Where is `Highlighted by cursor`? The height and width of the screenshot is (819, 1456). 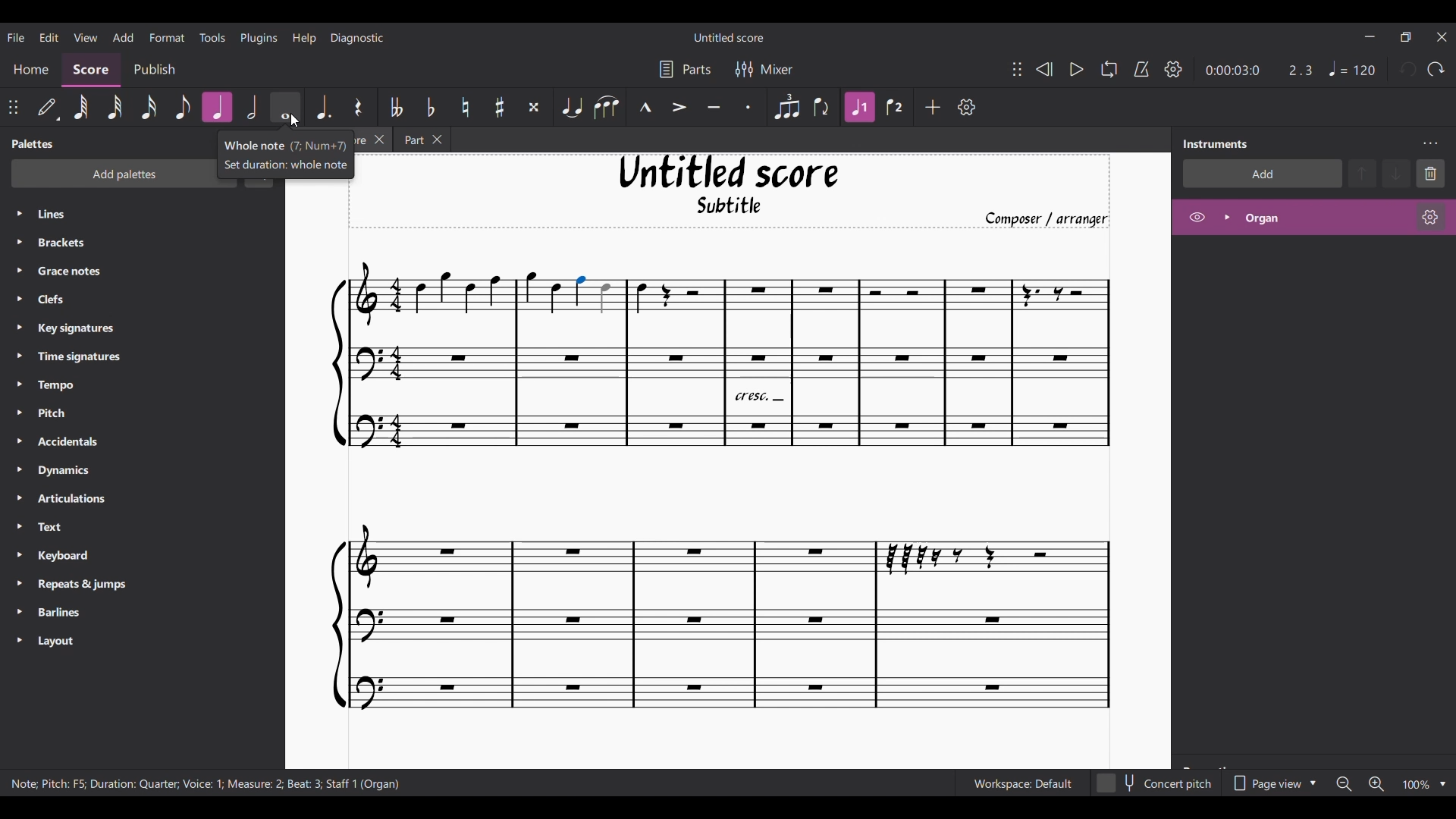 Highlighted by cursor is located at coordinates (285, 107).